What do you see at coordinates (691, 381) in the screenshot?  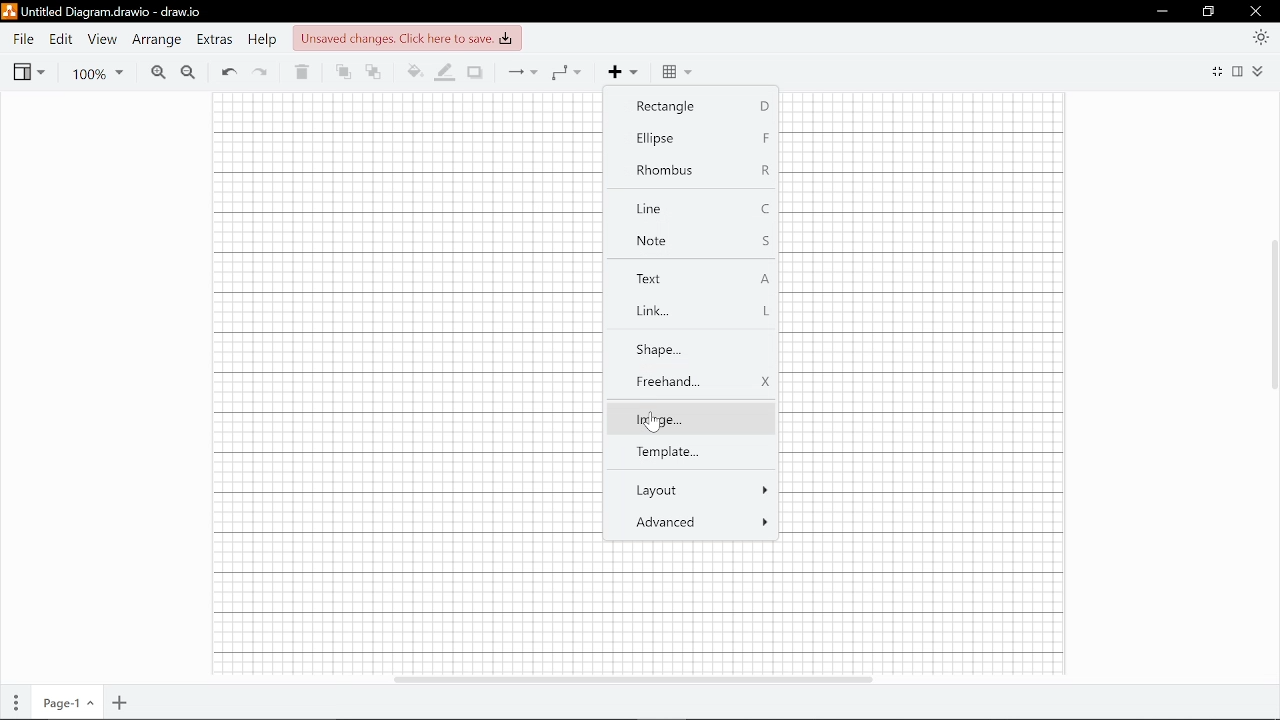 I see `Freehand` at bounding box center [691, 381].